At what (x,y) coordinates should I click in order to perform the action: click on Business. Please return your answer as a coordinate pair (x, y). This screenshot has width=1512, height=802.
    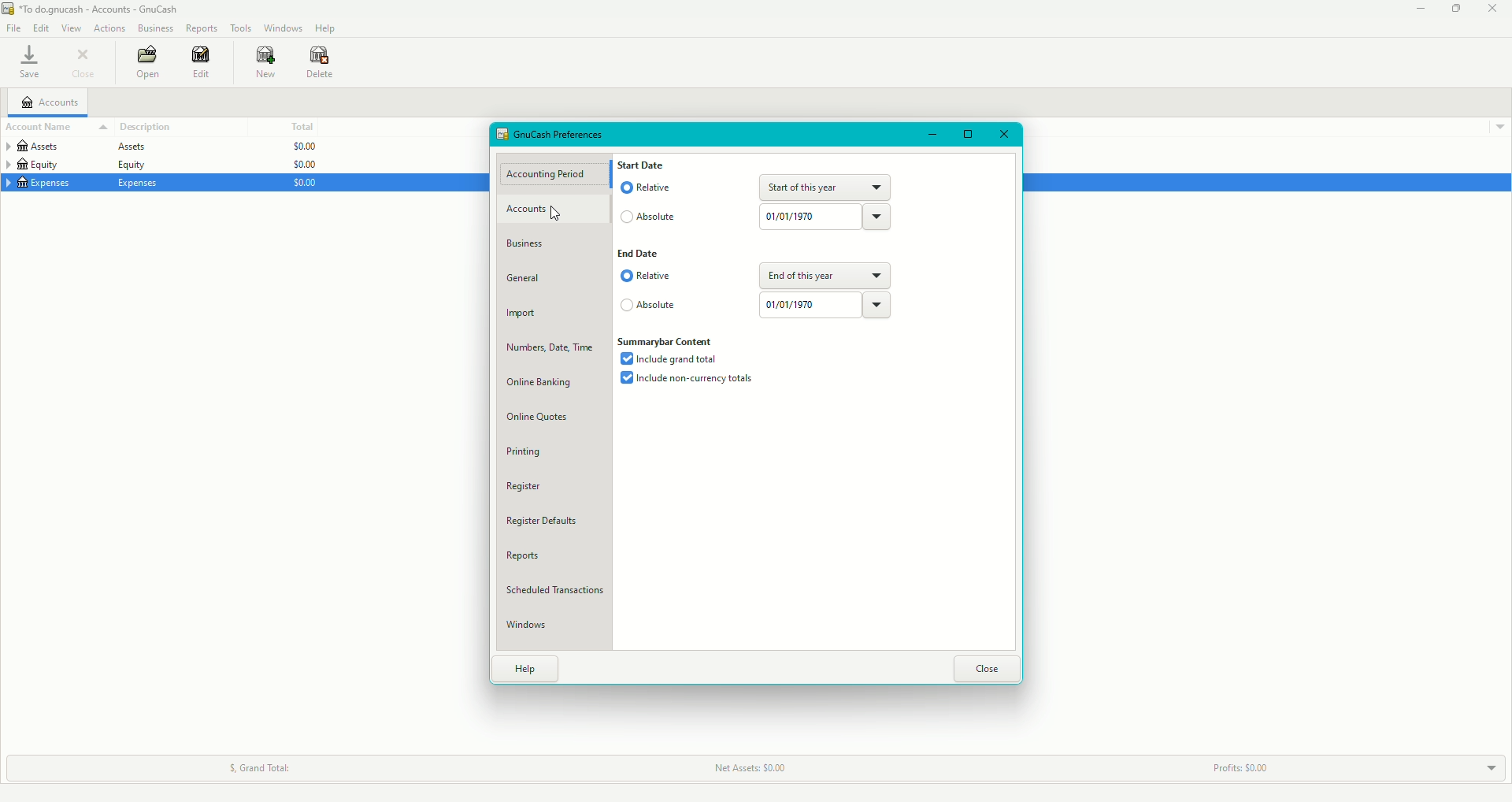
    Looking at the image, I should click on (155, 27).